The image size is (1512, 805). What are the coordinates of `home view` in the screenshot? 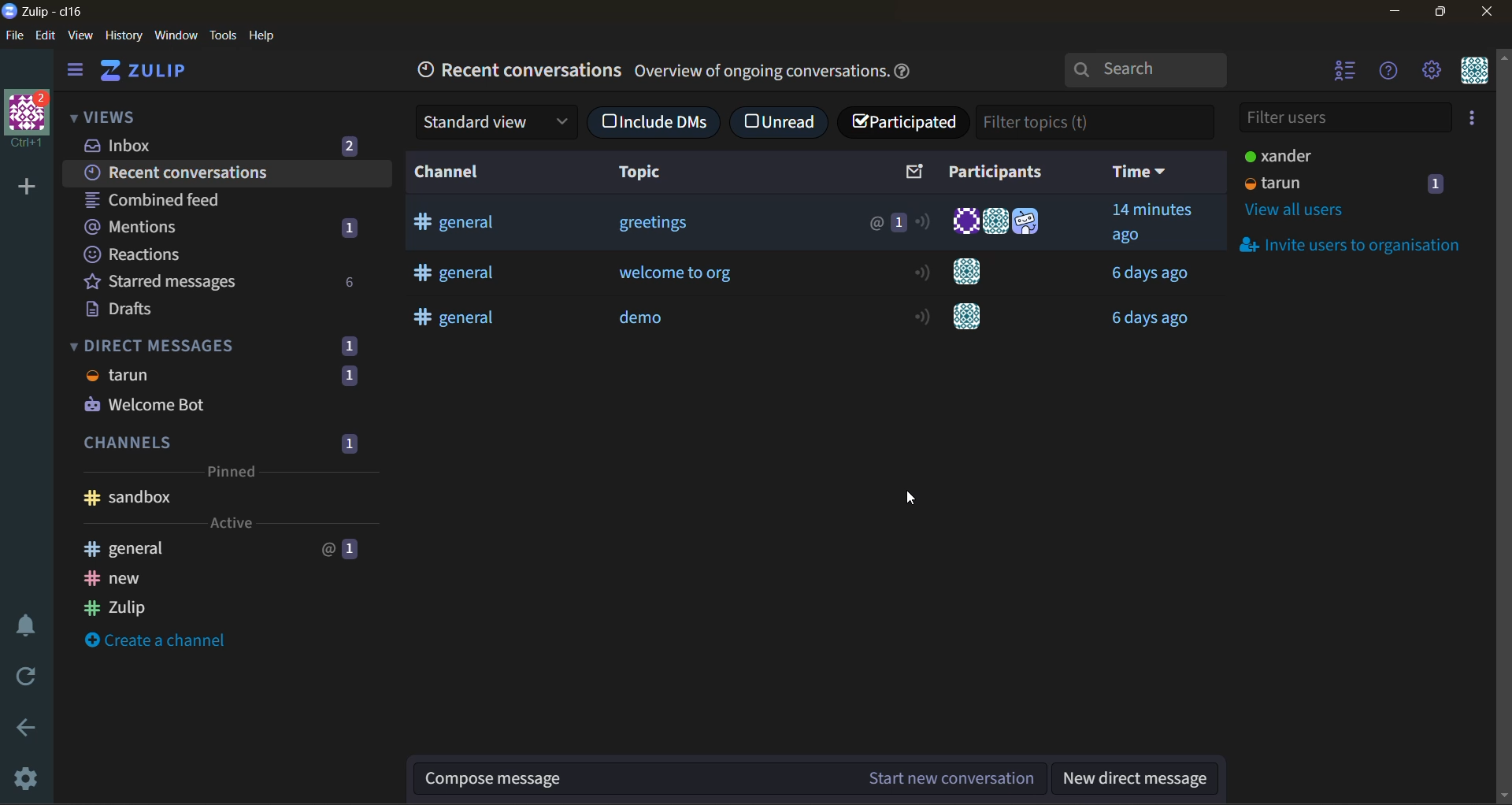 It's located at (147, 72).